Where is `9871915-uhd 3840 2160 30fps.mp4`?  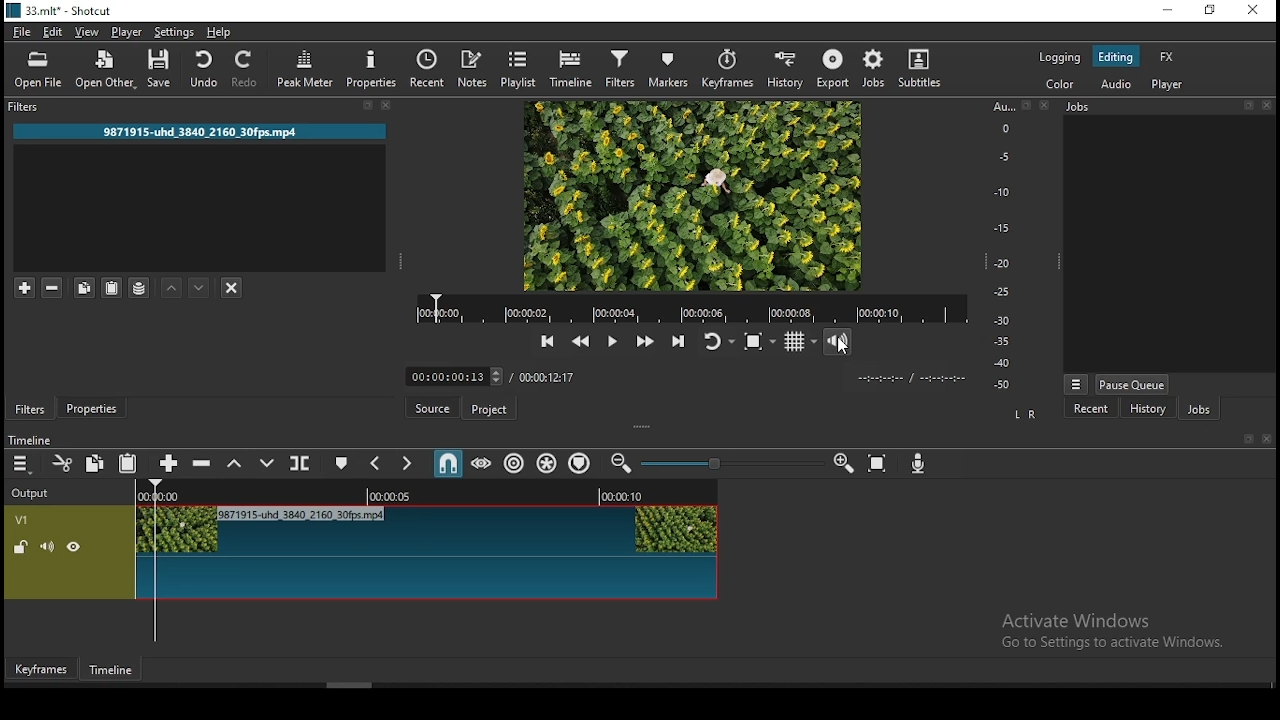 9871915-uhd 3840 2160 30fps.mp4 is located at coordinates (195, 131).